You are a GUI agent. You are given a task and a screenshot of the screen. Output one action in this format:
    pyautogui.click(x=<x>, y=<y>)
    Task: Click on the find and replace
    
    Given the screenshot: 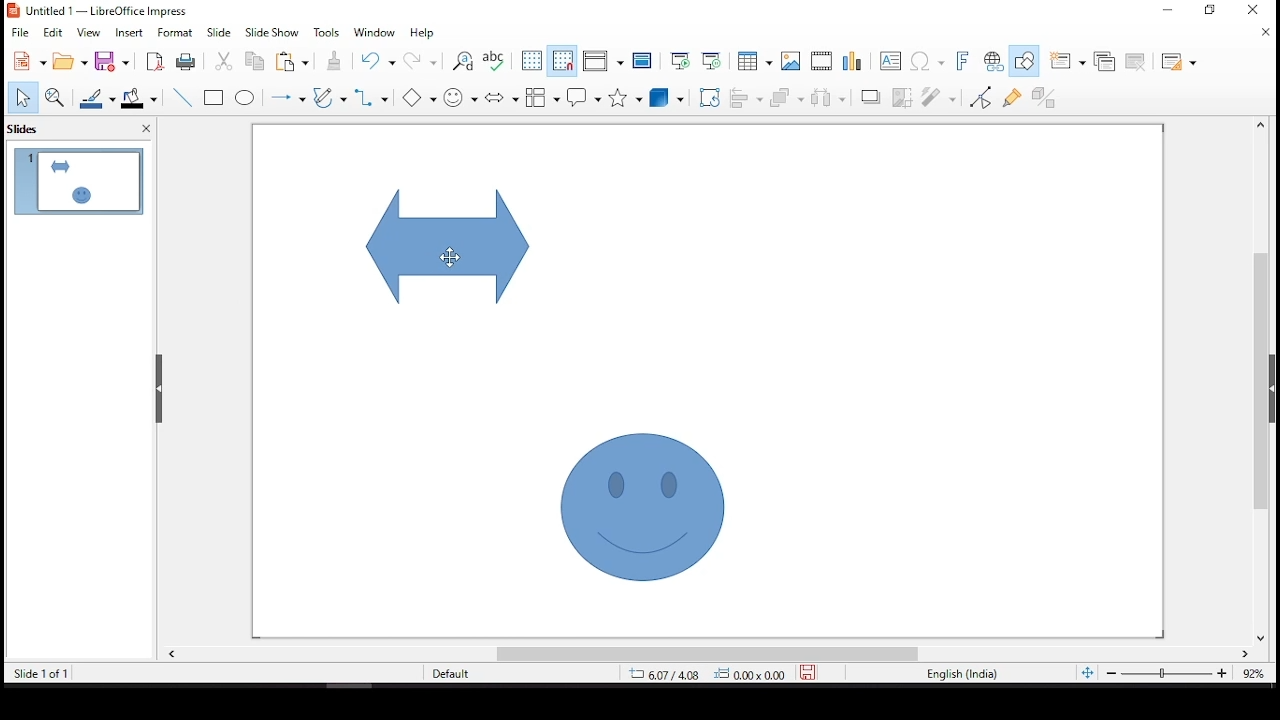 What is the action you would take?
    pyautogui.click(x=464, y=61)
    